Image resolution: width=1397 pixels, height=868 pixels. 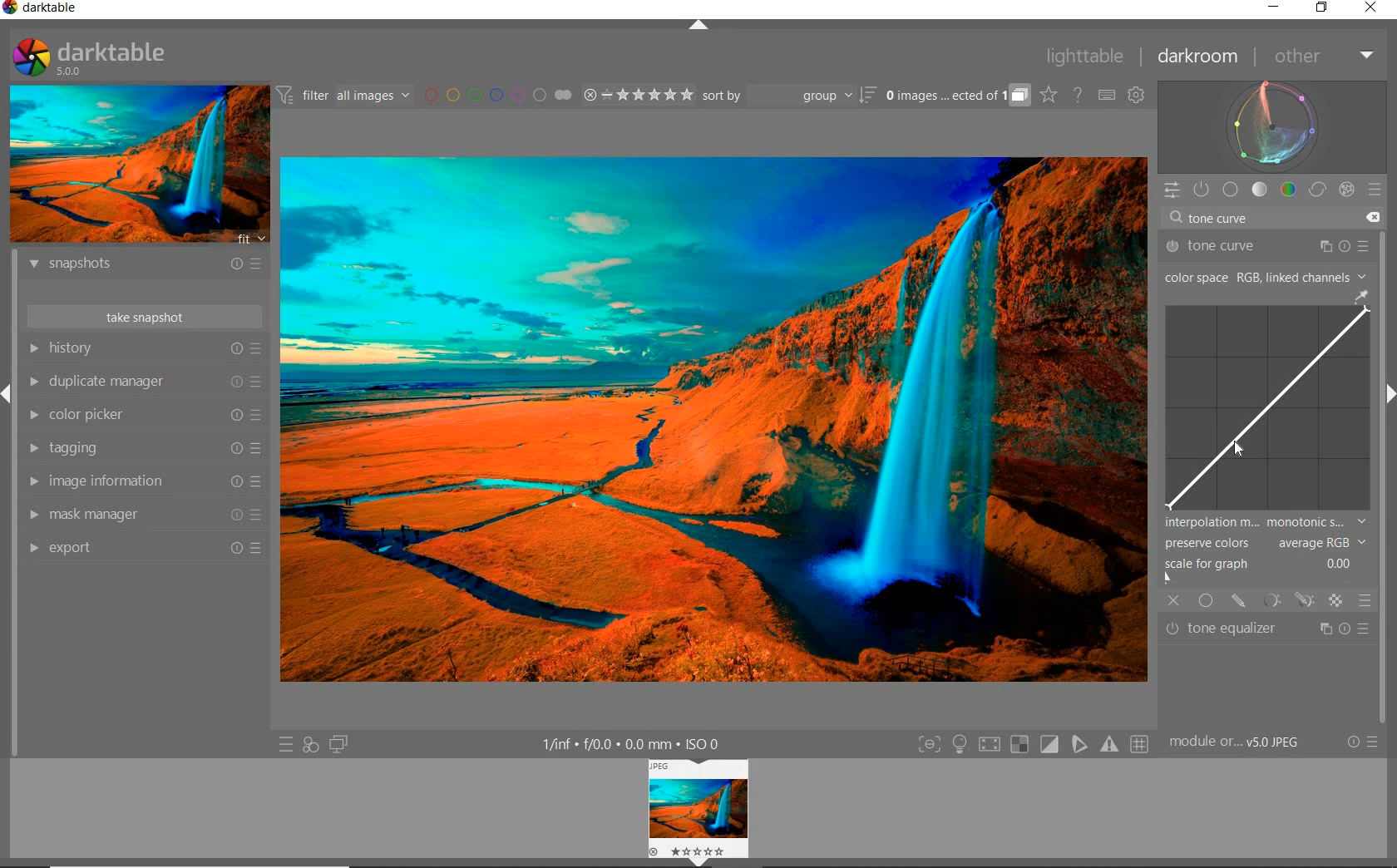 I want to click on PRESERVE COLORS, so click(x=1269, y=544).